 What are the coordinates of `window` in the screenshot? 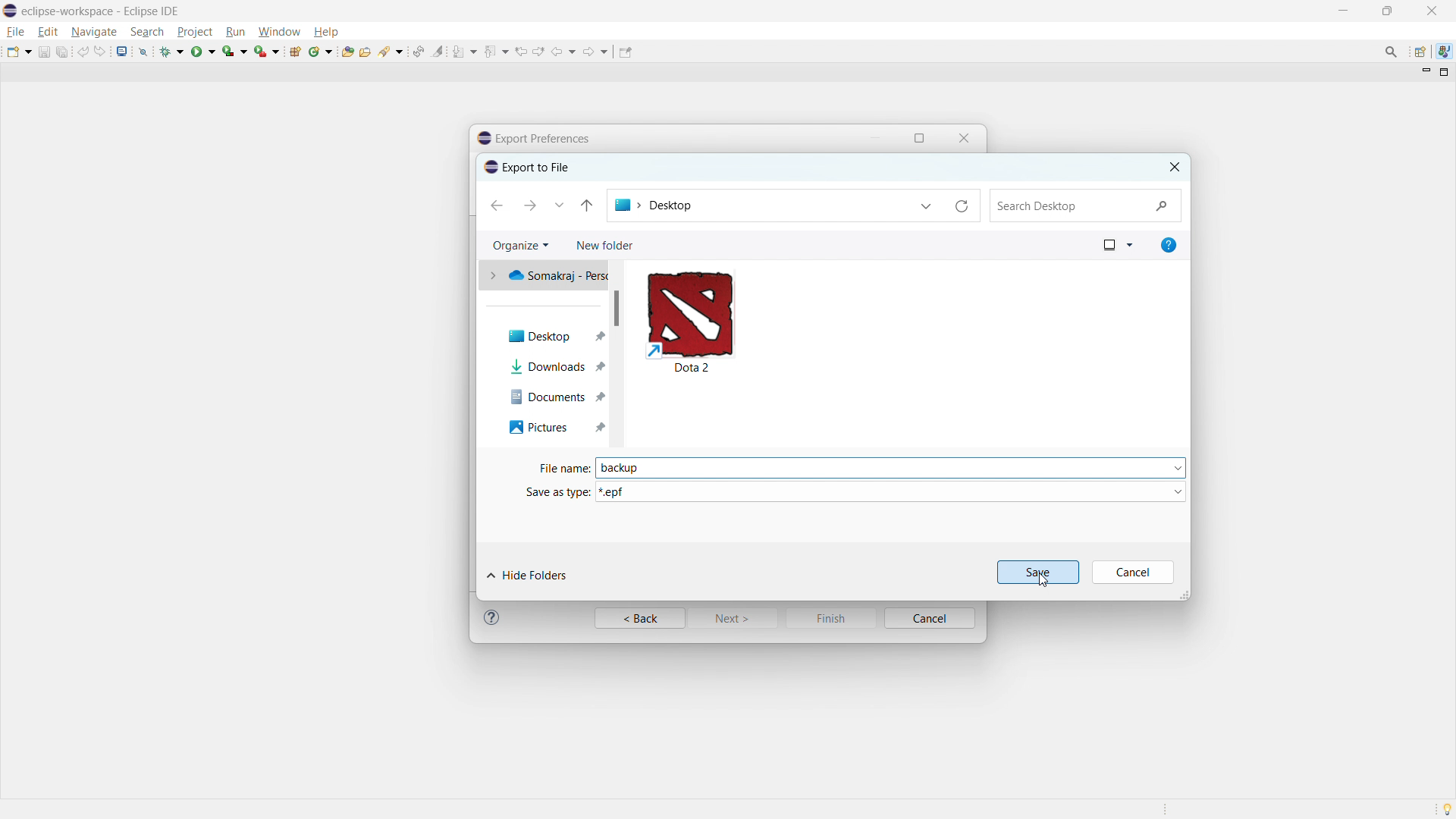 It's located at (1107, 245).